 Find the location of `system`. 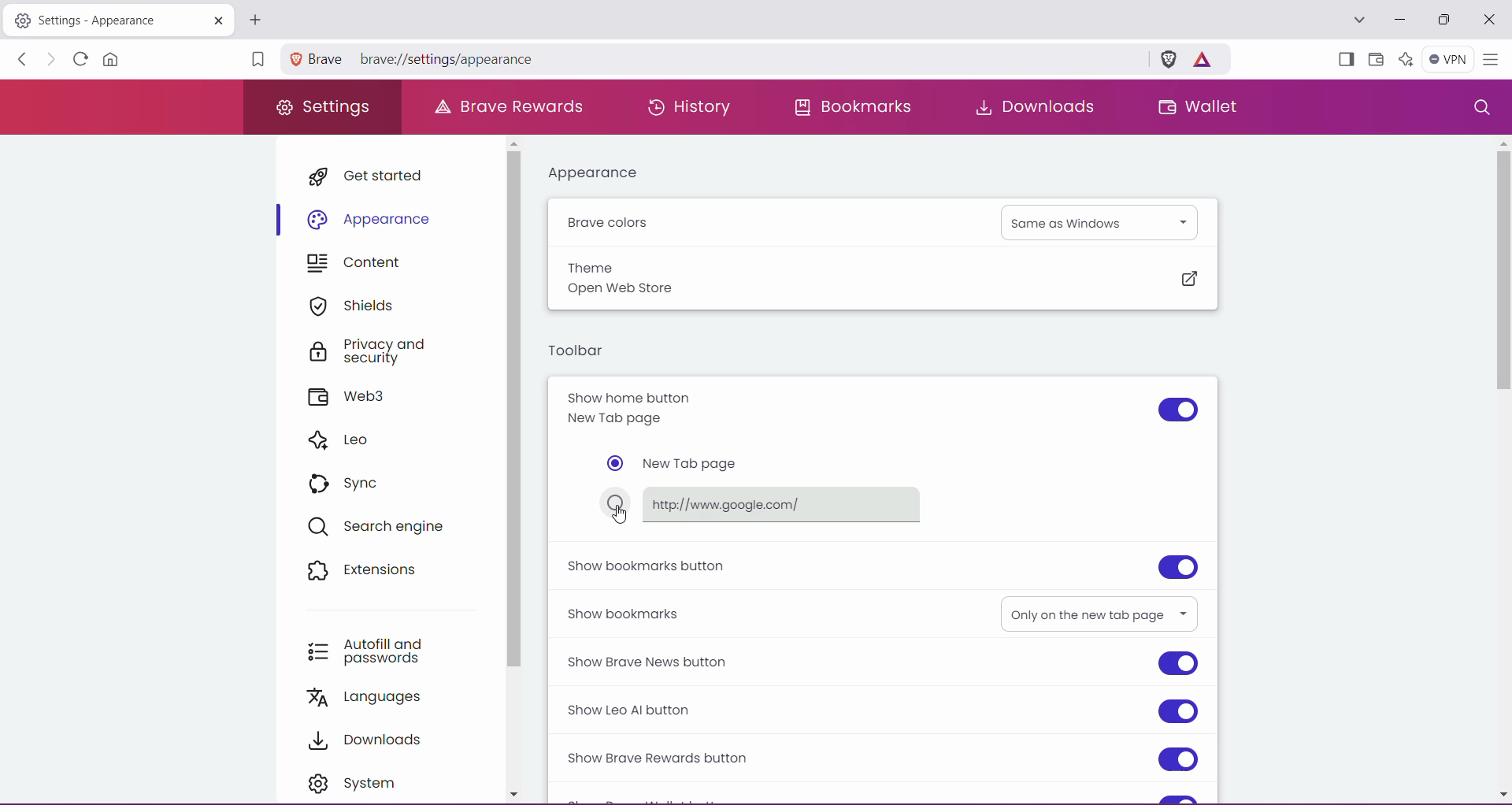

system is located at coordinates (367, 784).